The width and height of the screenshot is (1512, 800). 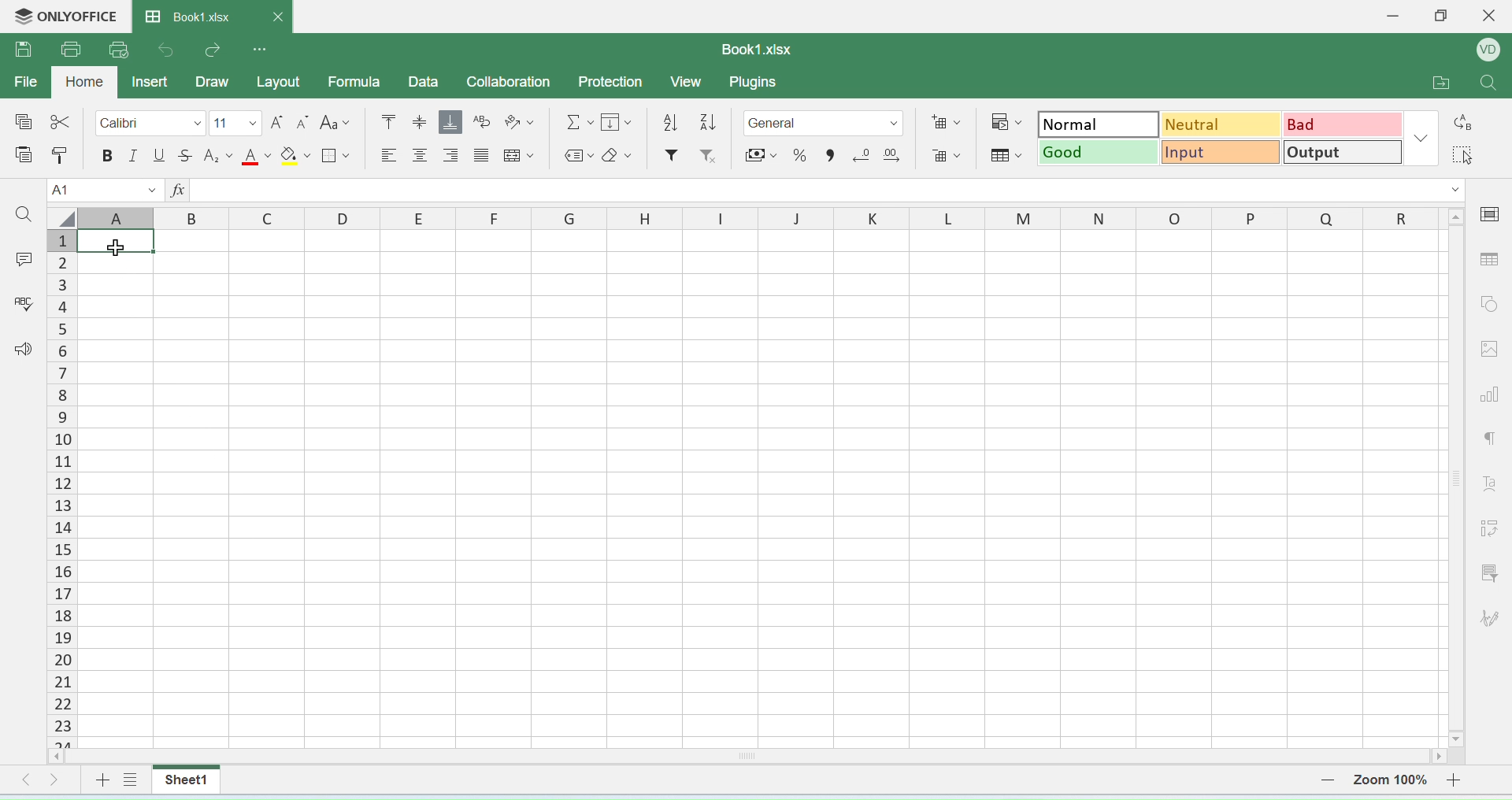 What do you see at coordinates (185, 154) in the screenshot?
I see `strikethrough` at bounding box center [185, 154].